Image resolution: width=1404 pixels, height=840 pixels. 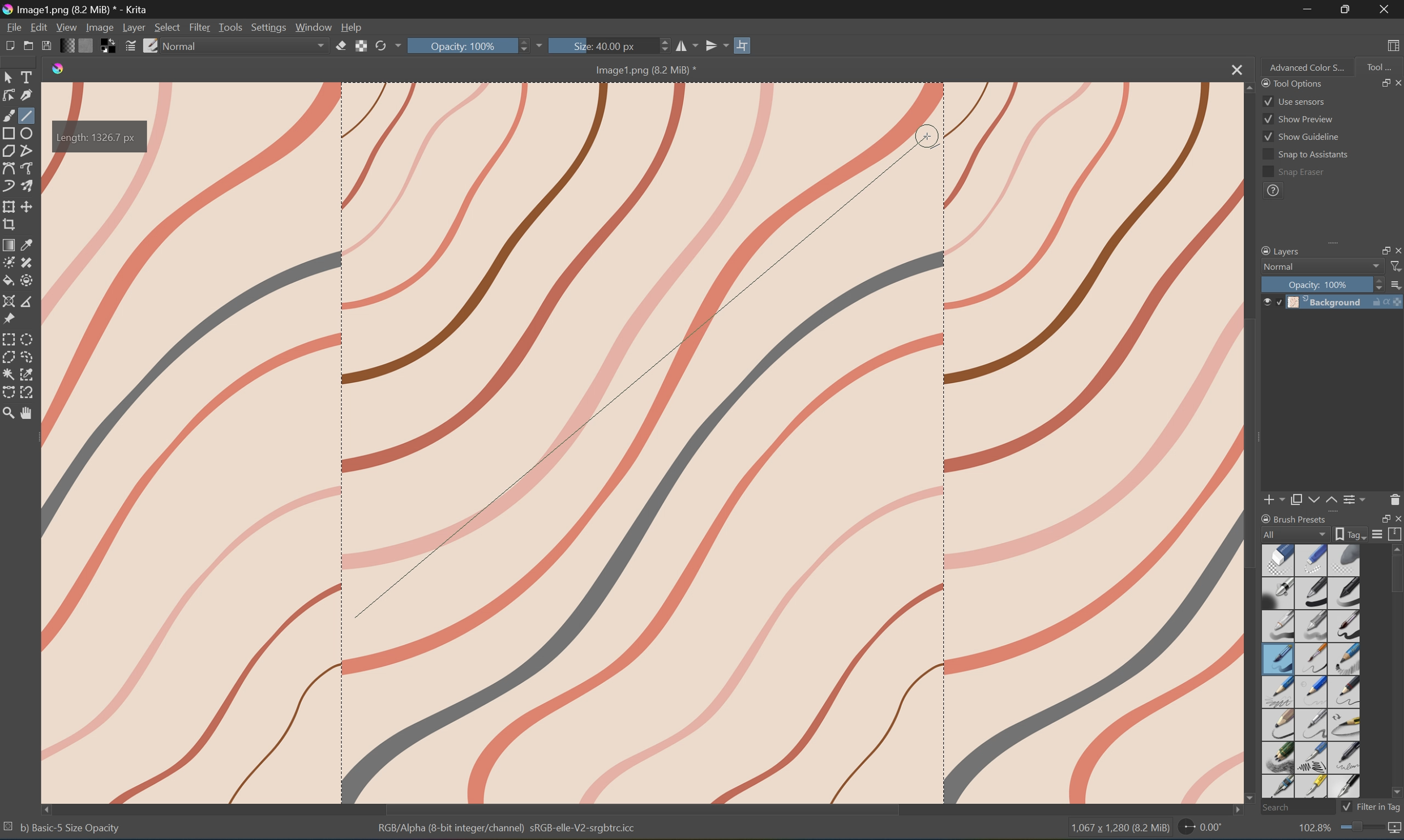 What do you see at coordinates (25, 280) in the screenshot?
I see `Enclose and fill tool` at bounding box center [25, 280].